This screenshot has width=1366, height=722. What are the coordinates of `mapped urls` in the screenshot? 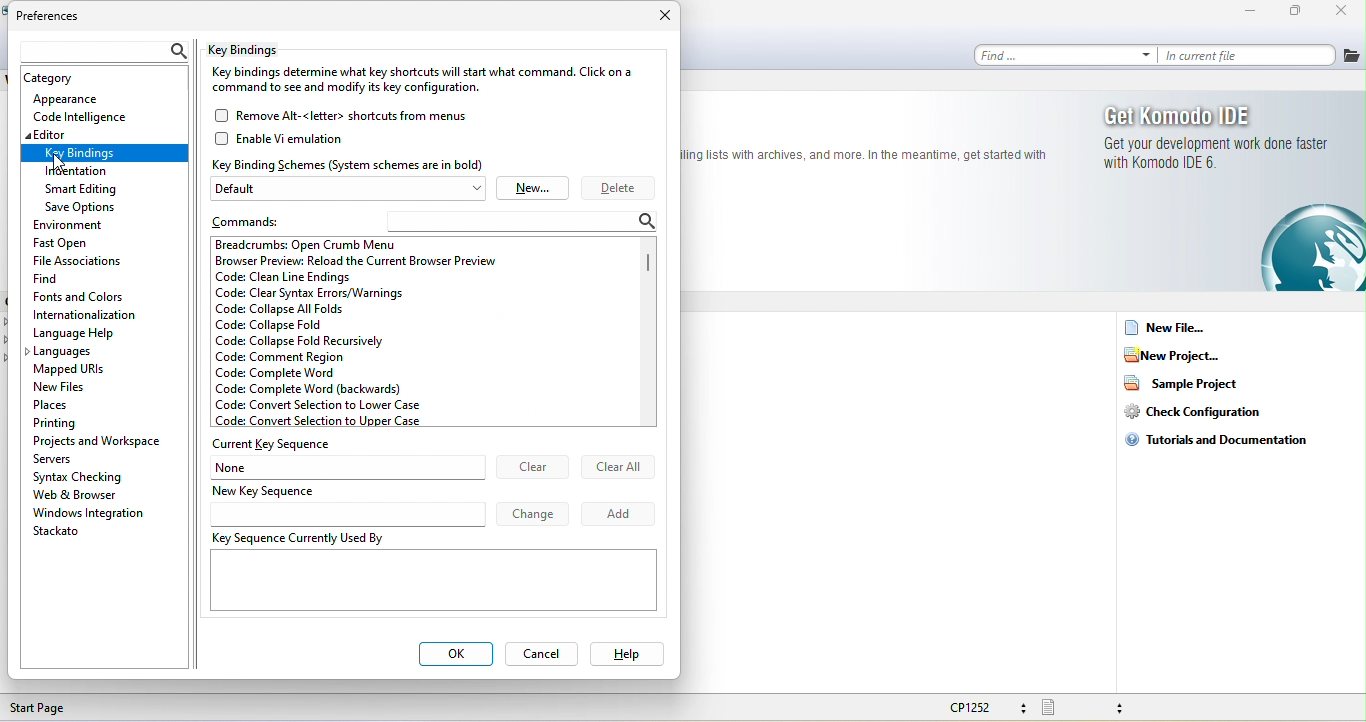 It's located at (74, 370).